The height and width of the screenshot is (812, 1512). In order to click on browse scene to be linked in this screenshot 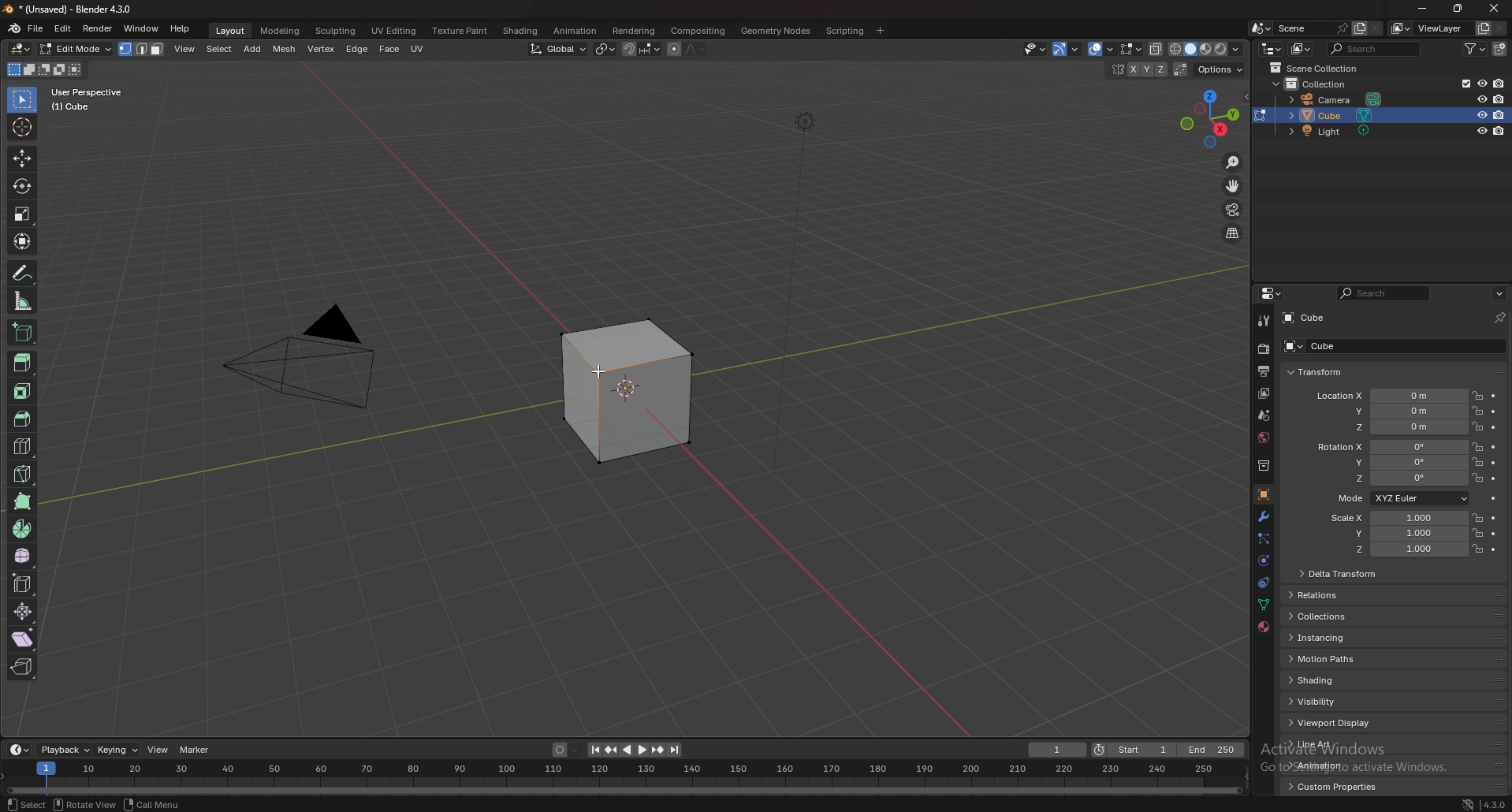, I will do `click(1261, 28)`.